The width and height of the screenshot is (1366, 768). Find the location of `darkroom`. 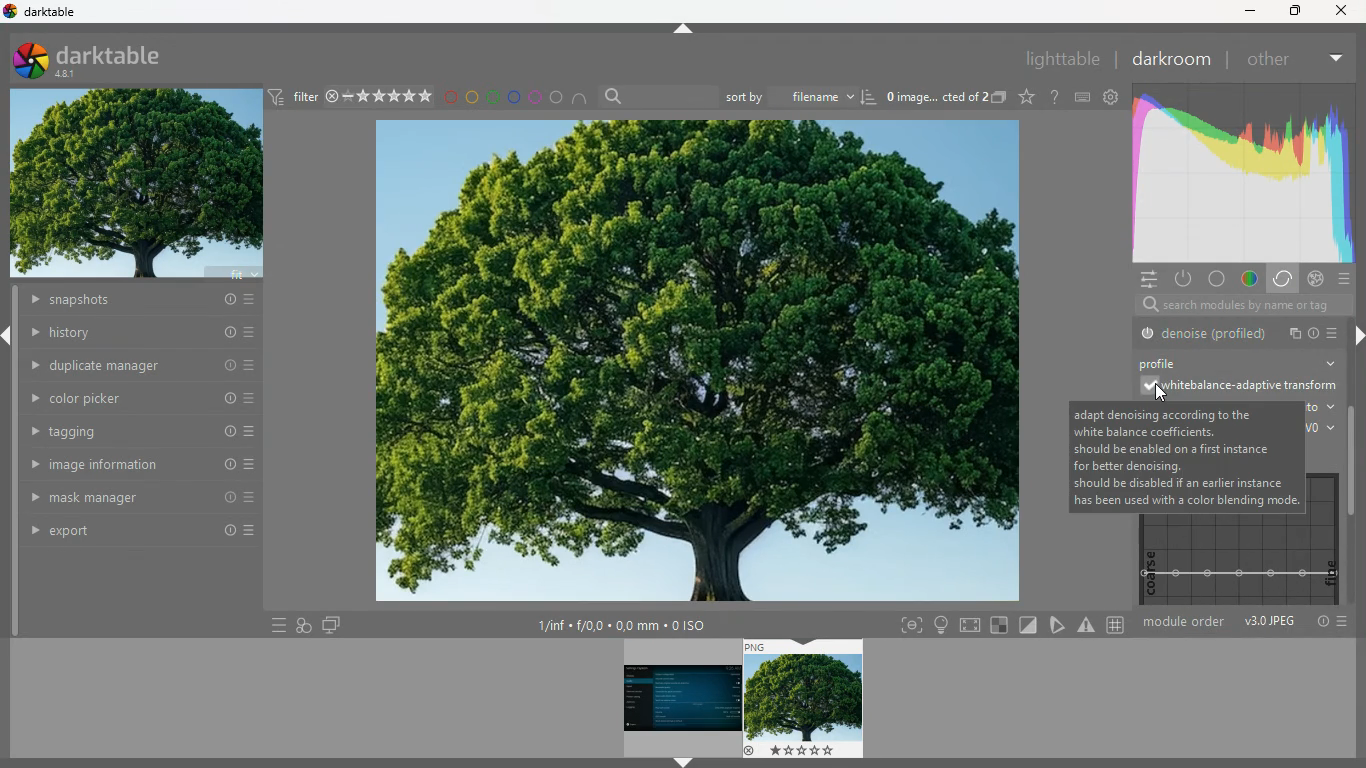

darkroom is located at coordinates (1170, 59).